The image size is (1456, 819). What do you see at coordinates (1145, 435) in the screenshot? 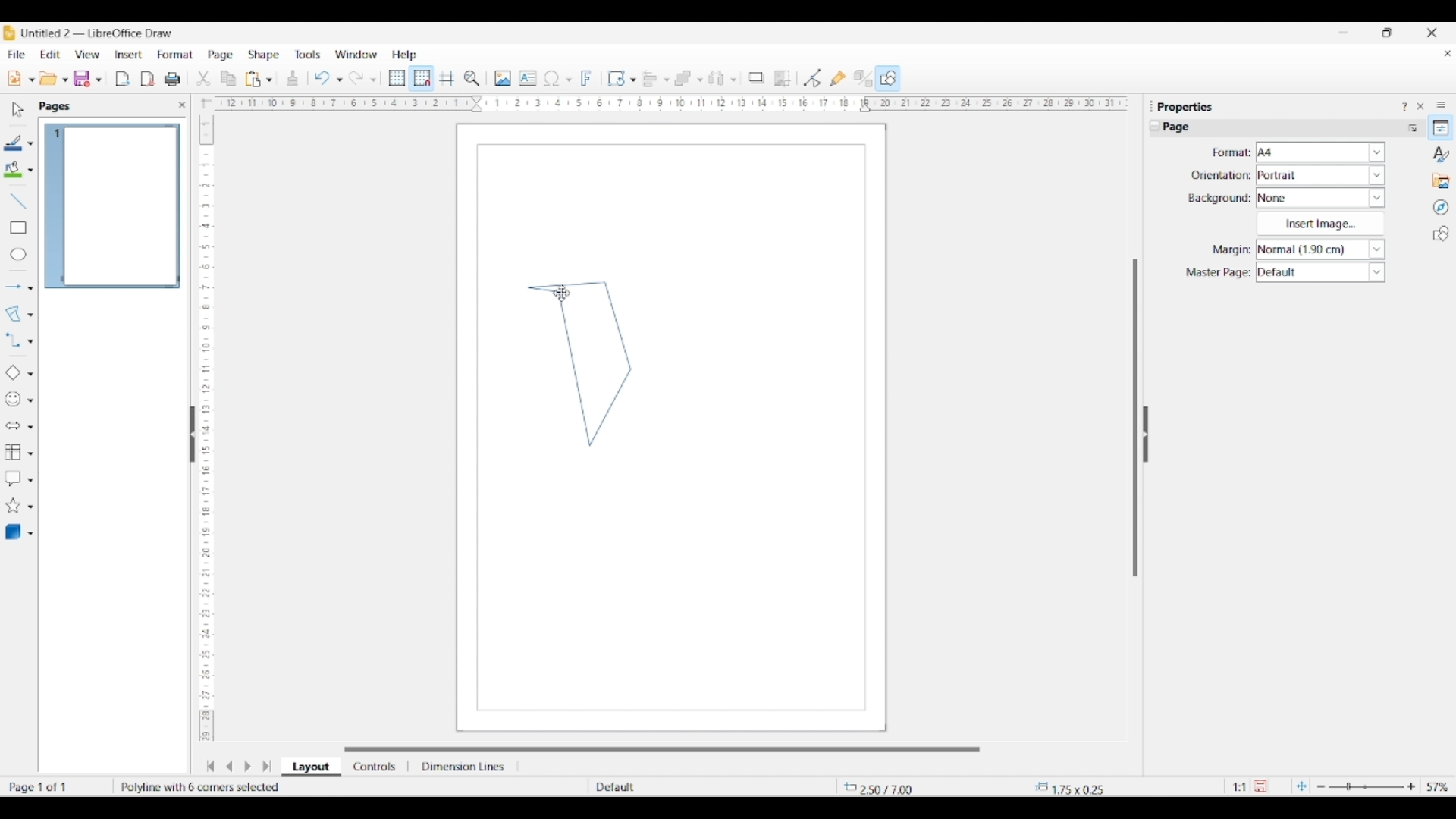
I see `Hide right sidebar` at bounding box center [1145, 435].